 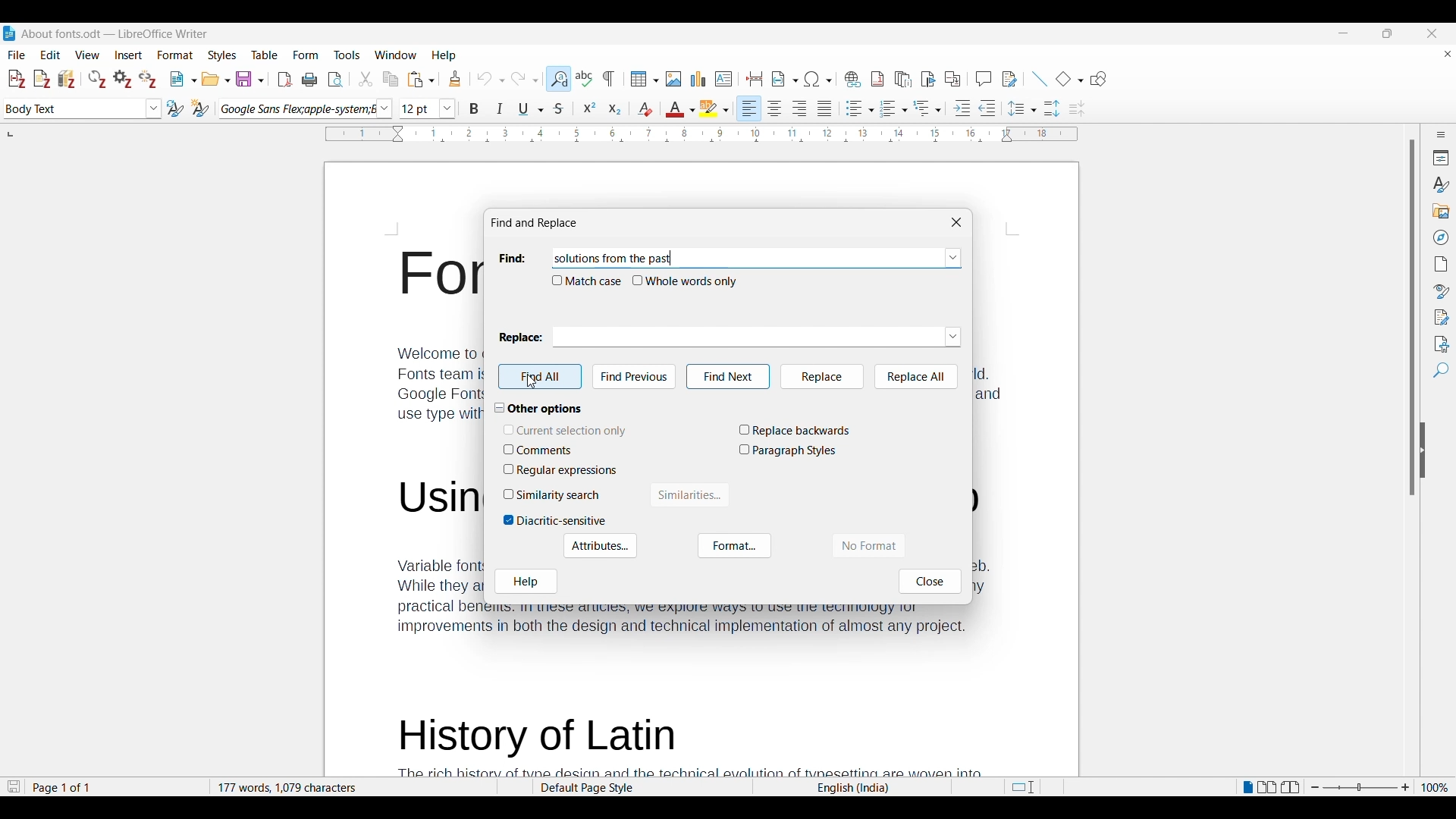 What do you see at coordinates (590, 109) in the screenshot?
I see `Superscript` at bounding box center [590, 109].